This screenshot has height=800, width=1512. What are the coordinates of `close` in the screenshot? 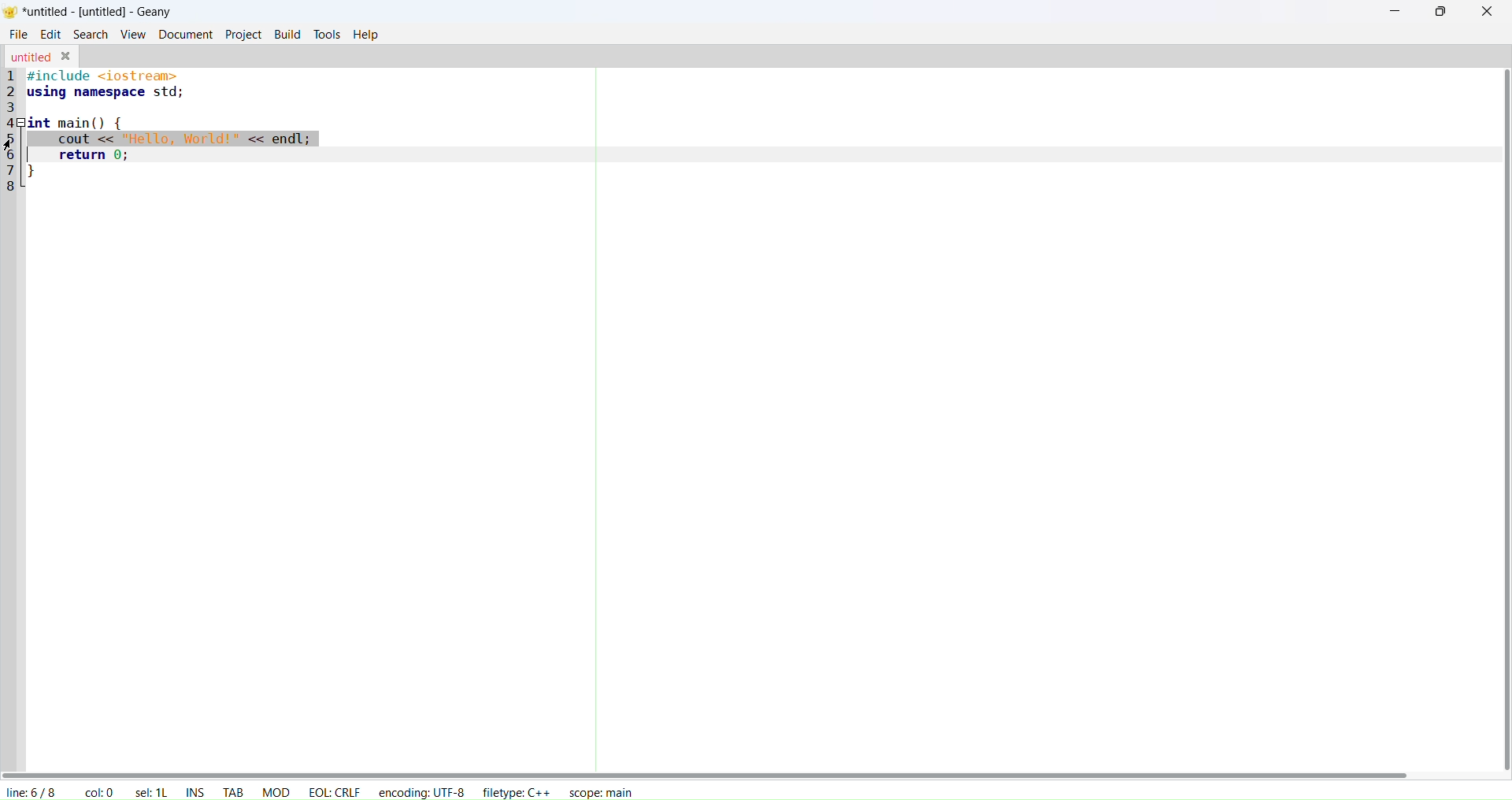 It's located at (1485, 11).